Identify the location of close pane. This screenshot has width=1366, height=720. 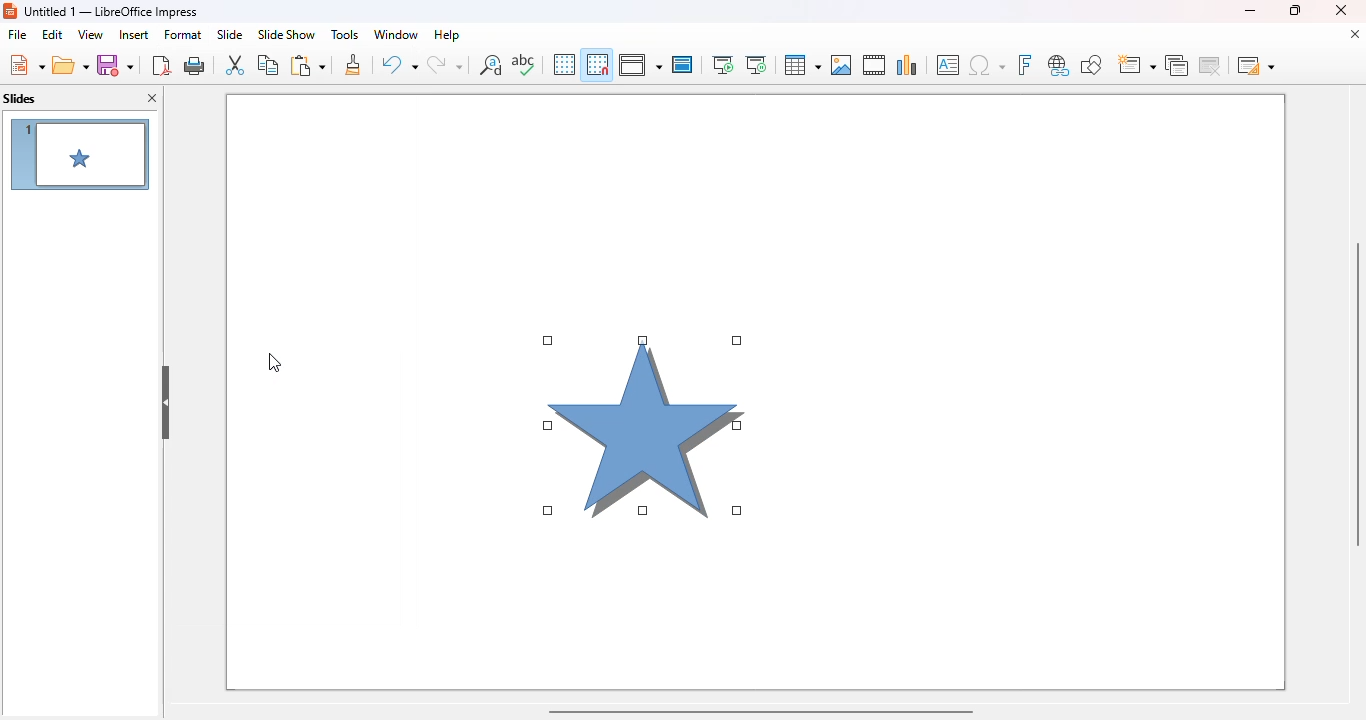
(154, 99).